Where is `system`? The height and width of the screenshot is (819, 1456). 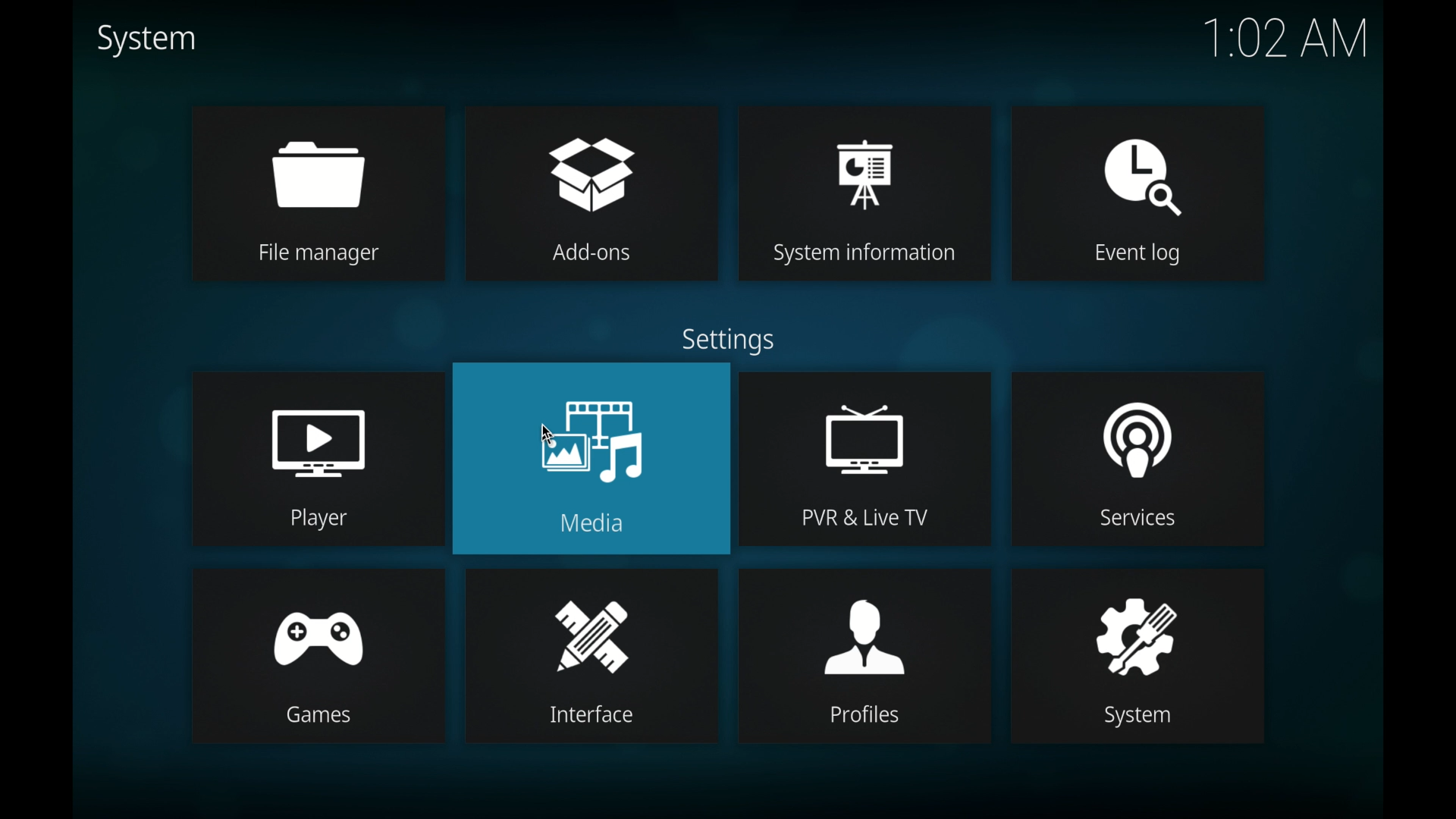 system is located at coordinates (1129, 622).